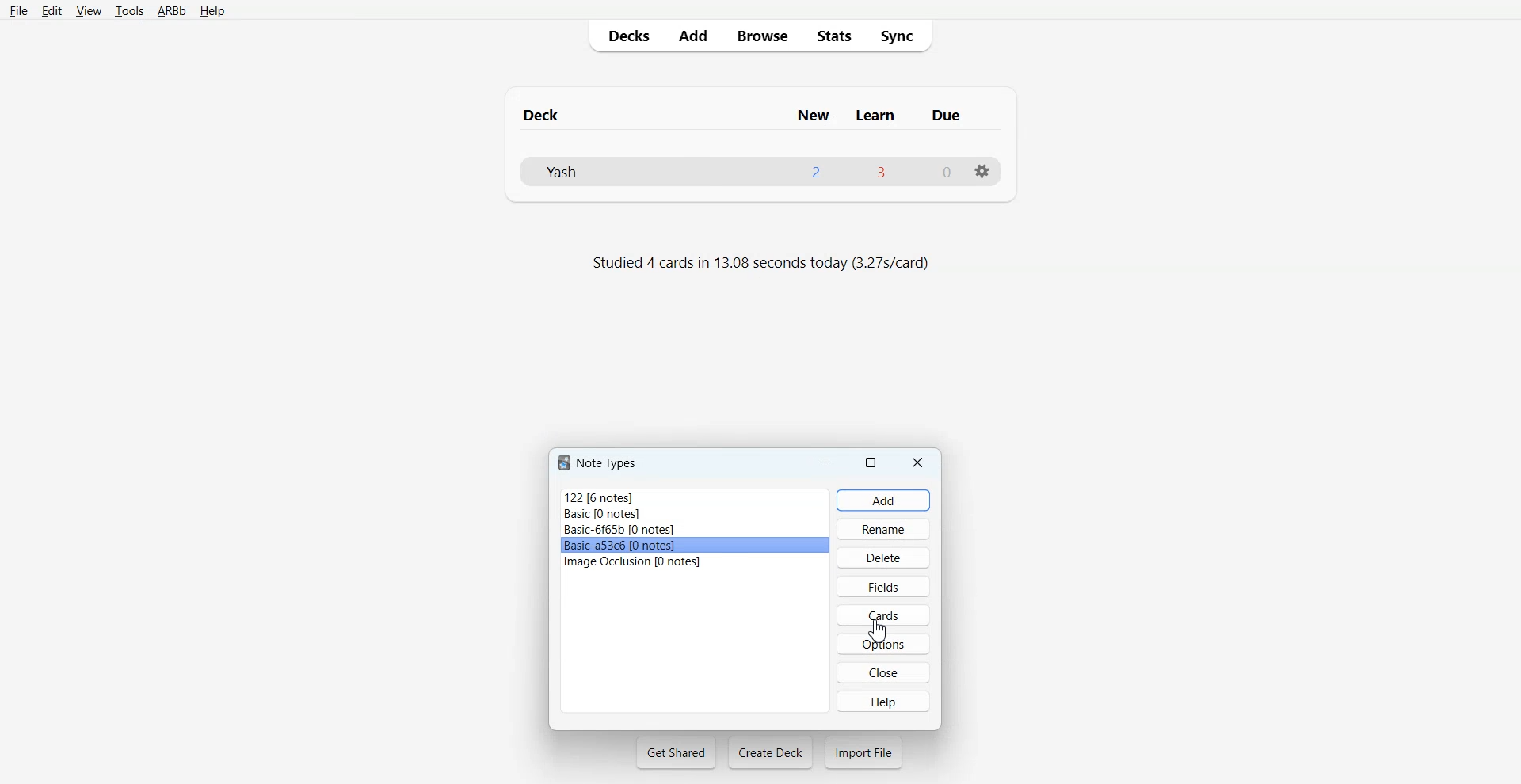 The width and height of the screenshot is (1521, 784). I want to click on Browse, so click(761, 35).